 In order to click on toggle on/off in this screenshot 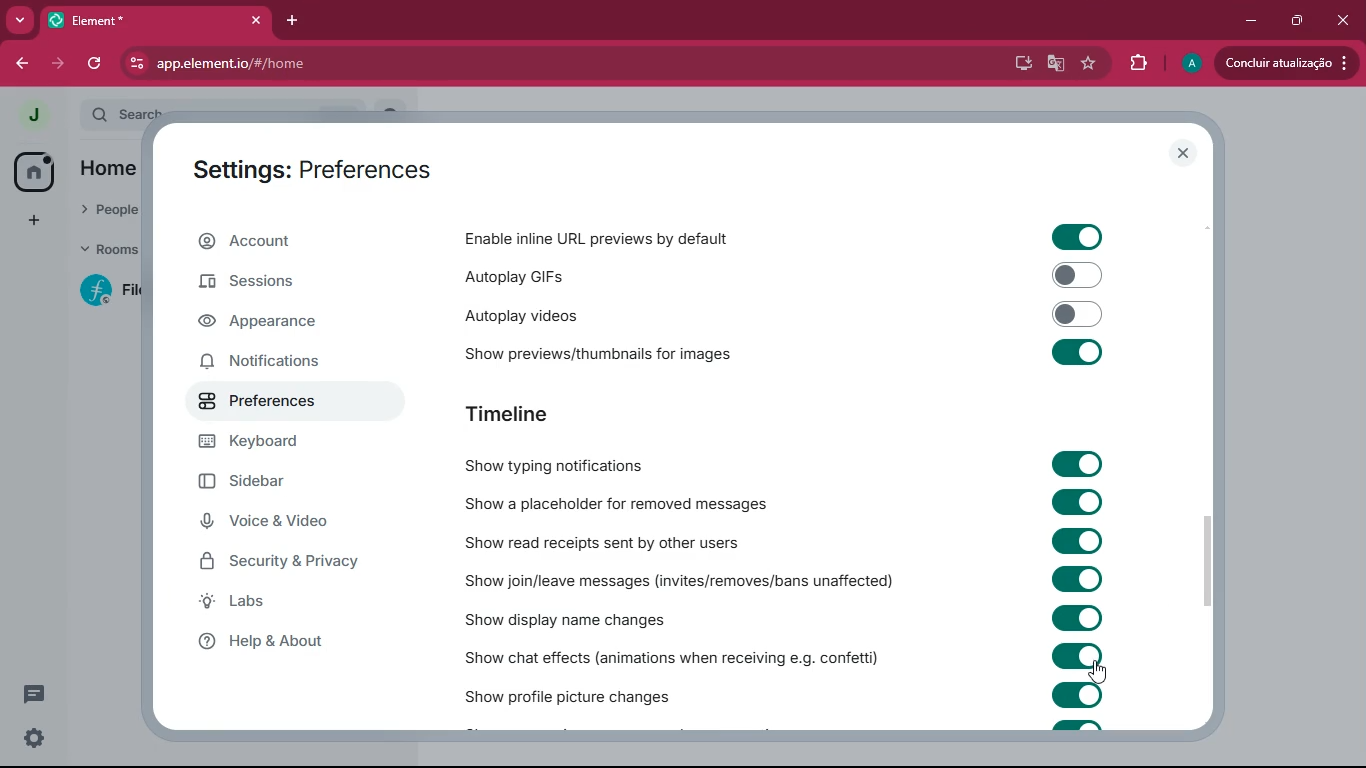, I will do `click(1078, 541)`.